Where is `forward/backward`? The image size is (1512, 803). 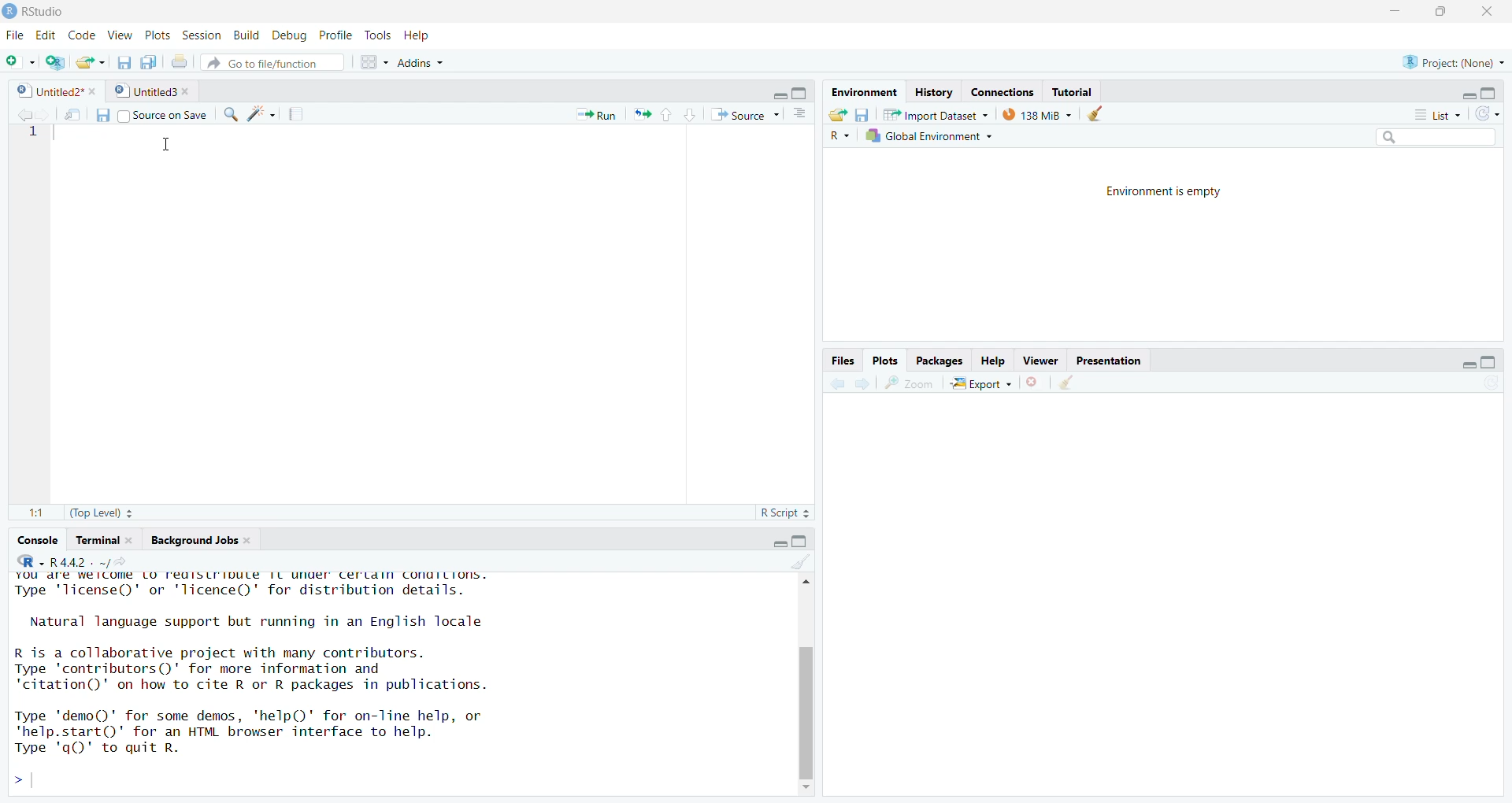
forward/backward is located at coordinates (849, 384).